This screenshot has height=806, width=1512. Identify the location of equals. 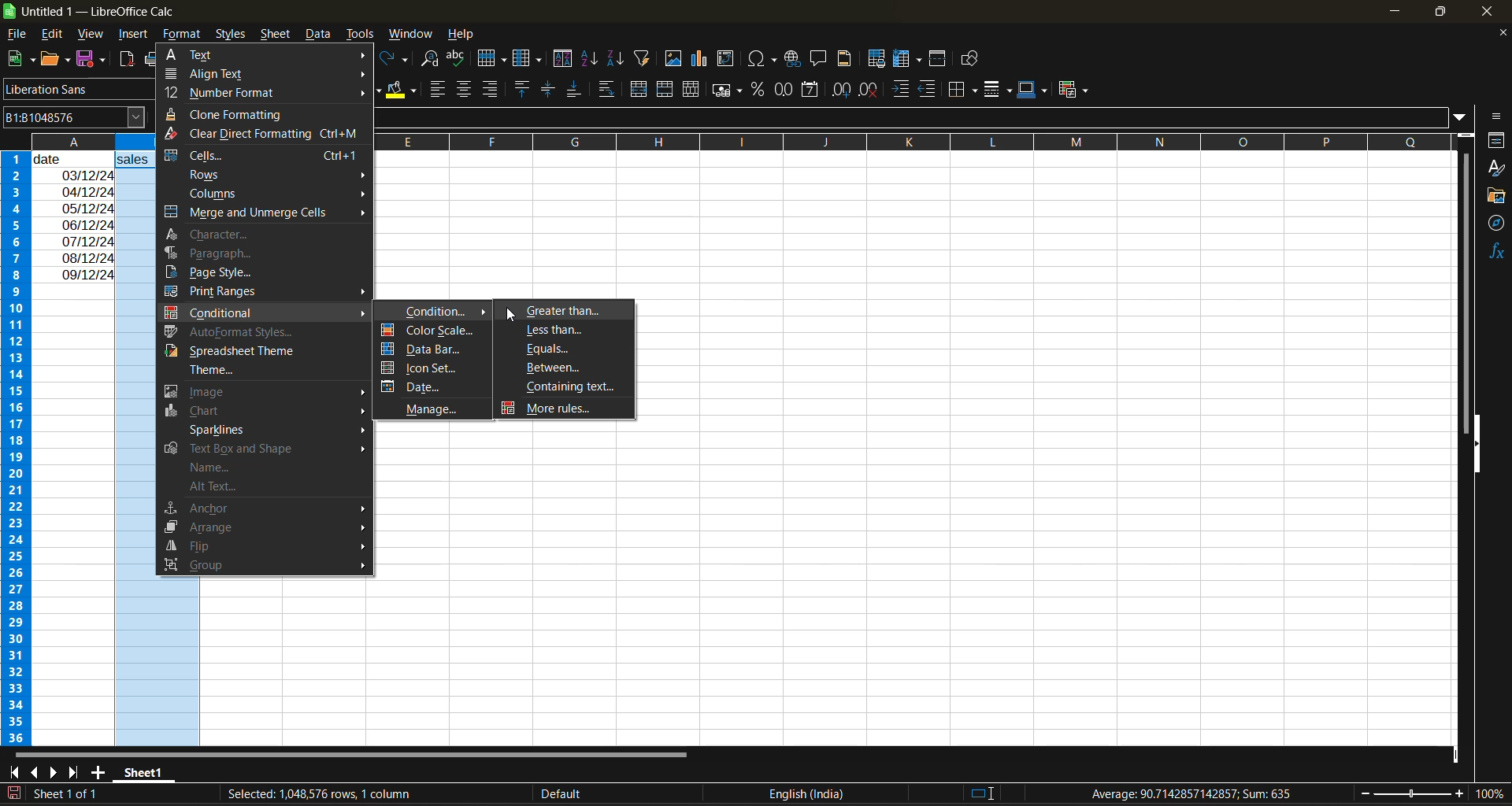
(565, 349).